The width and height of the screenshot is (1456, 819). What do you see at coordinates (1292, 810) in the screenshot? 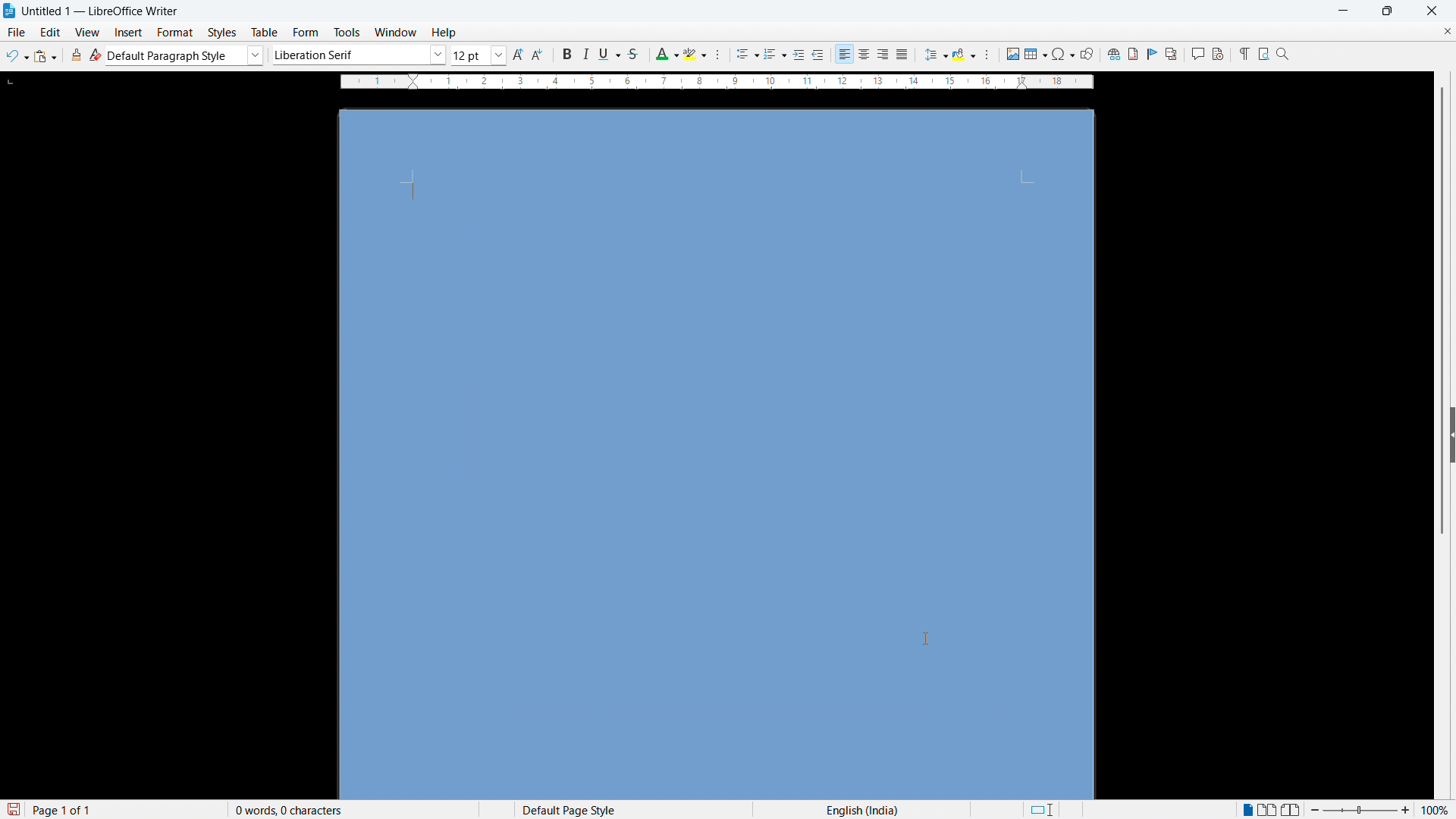
I see `Bookview ` at bounding box center [1292, 810].